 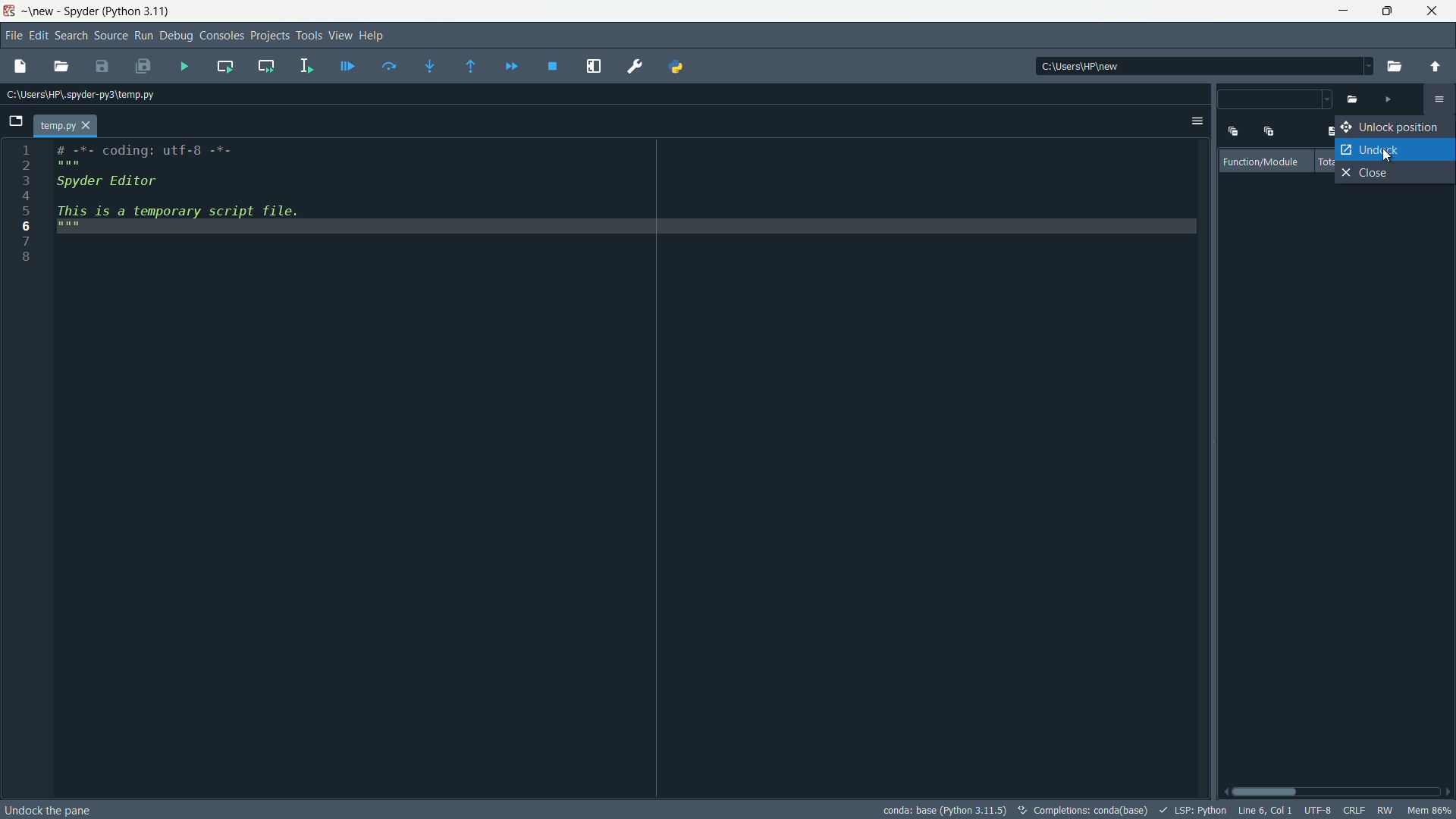 I want to click on step into function, so click(x=431, y=67).